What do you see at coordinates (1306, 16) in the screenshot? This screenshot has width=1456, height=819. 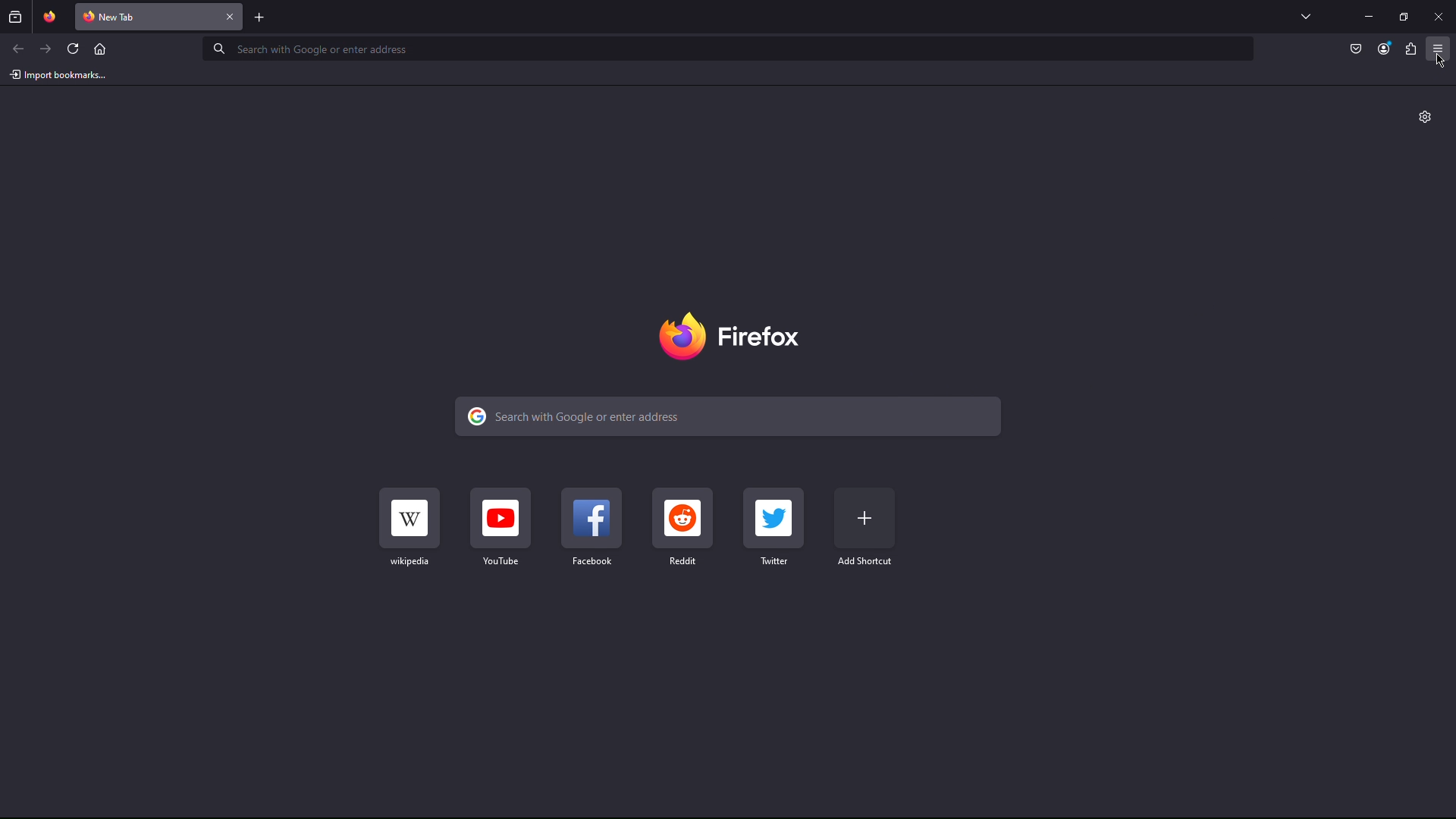 I see `List all tabs` at bounding box center [1306, 16].